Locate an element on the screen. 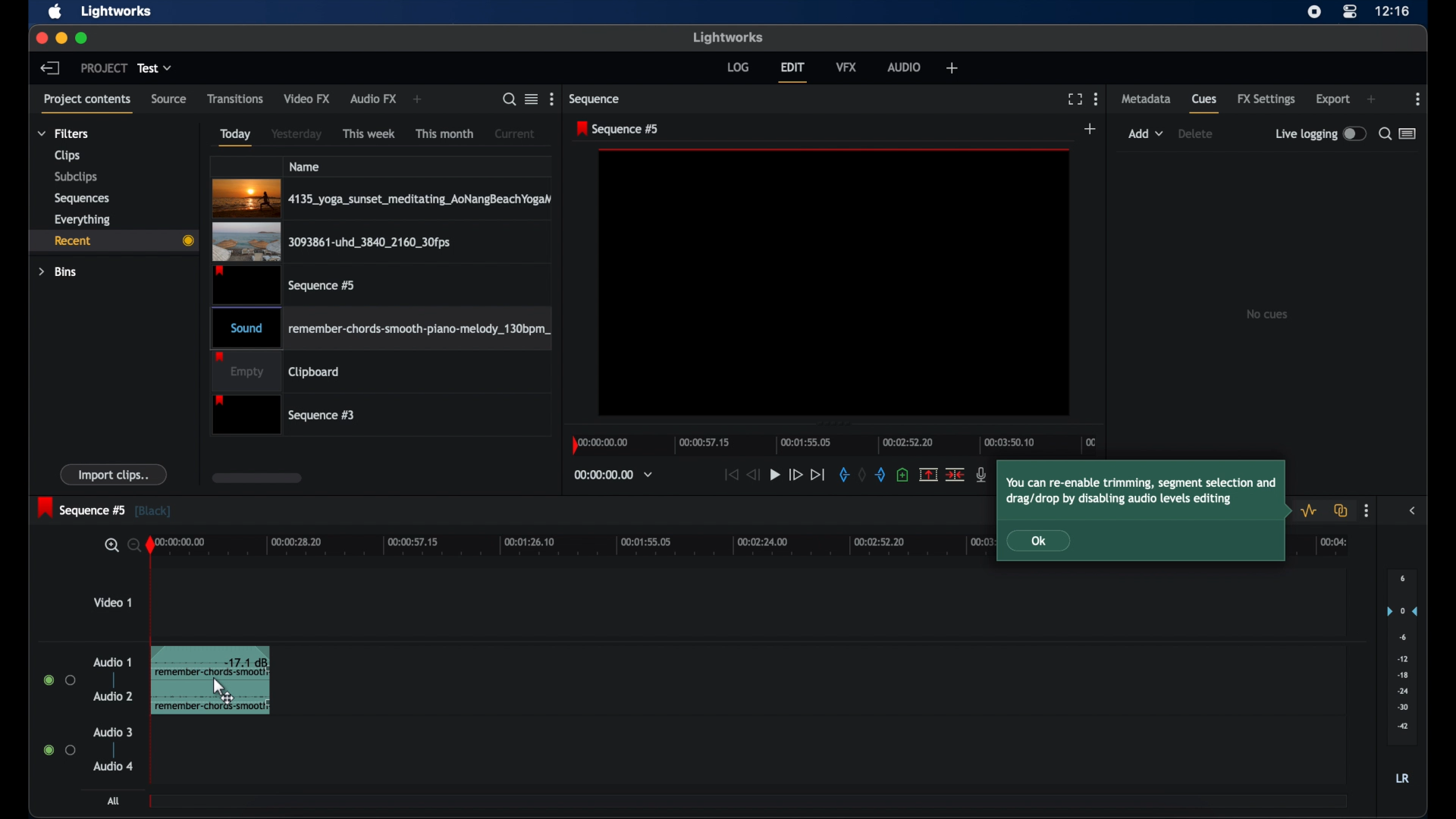 This screenshot has height=819, width=1456. metadata is located at coordinates (1146, 98).